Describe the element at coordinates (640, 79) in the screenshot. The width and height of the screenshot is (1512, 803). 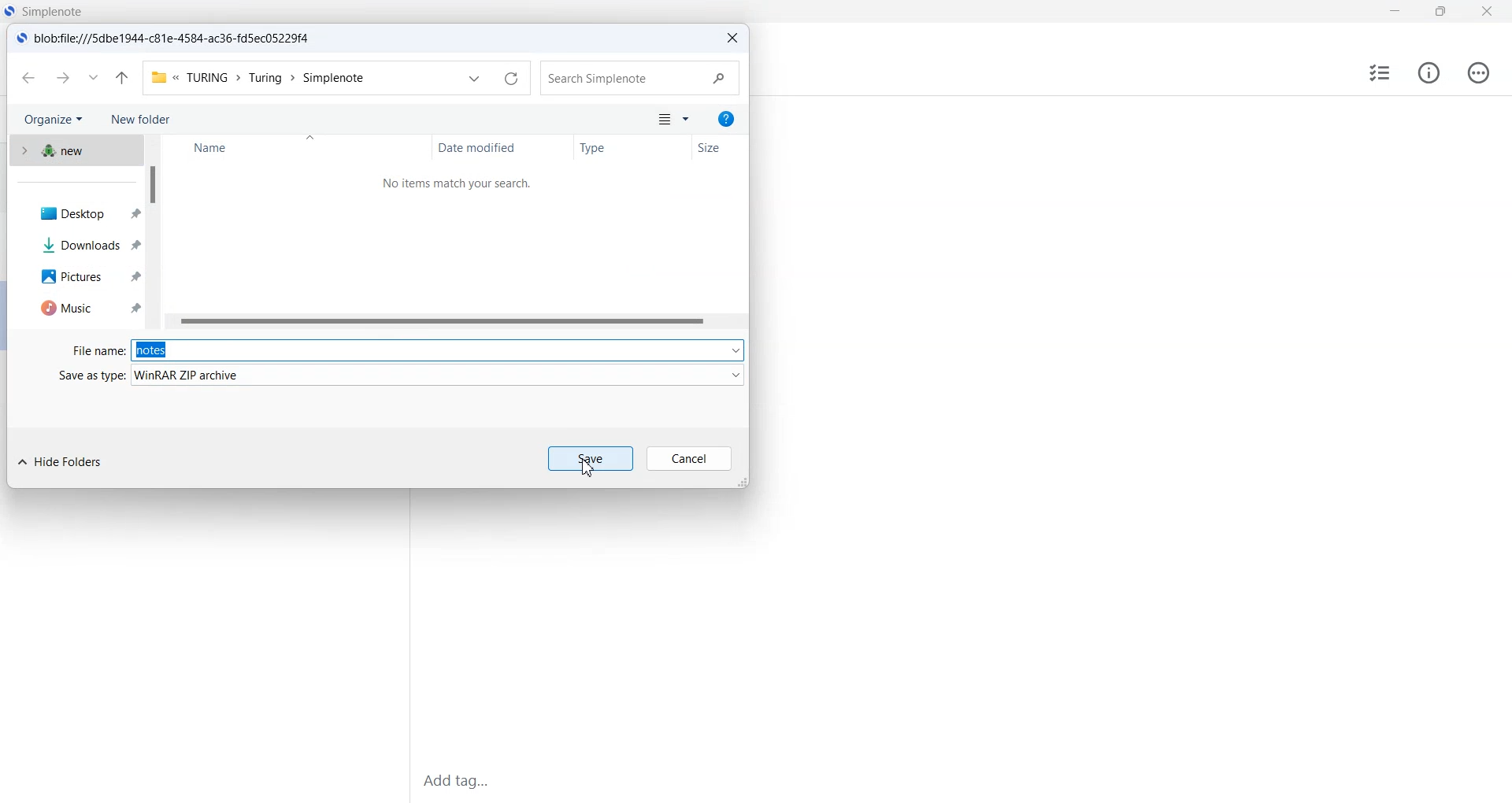
I see `Search simplenote` at that location.